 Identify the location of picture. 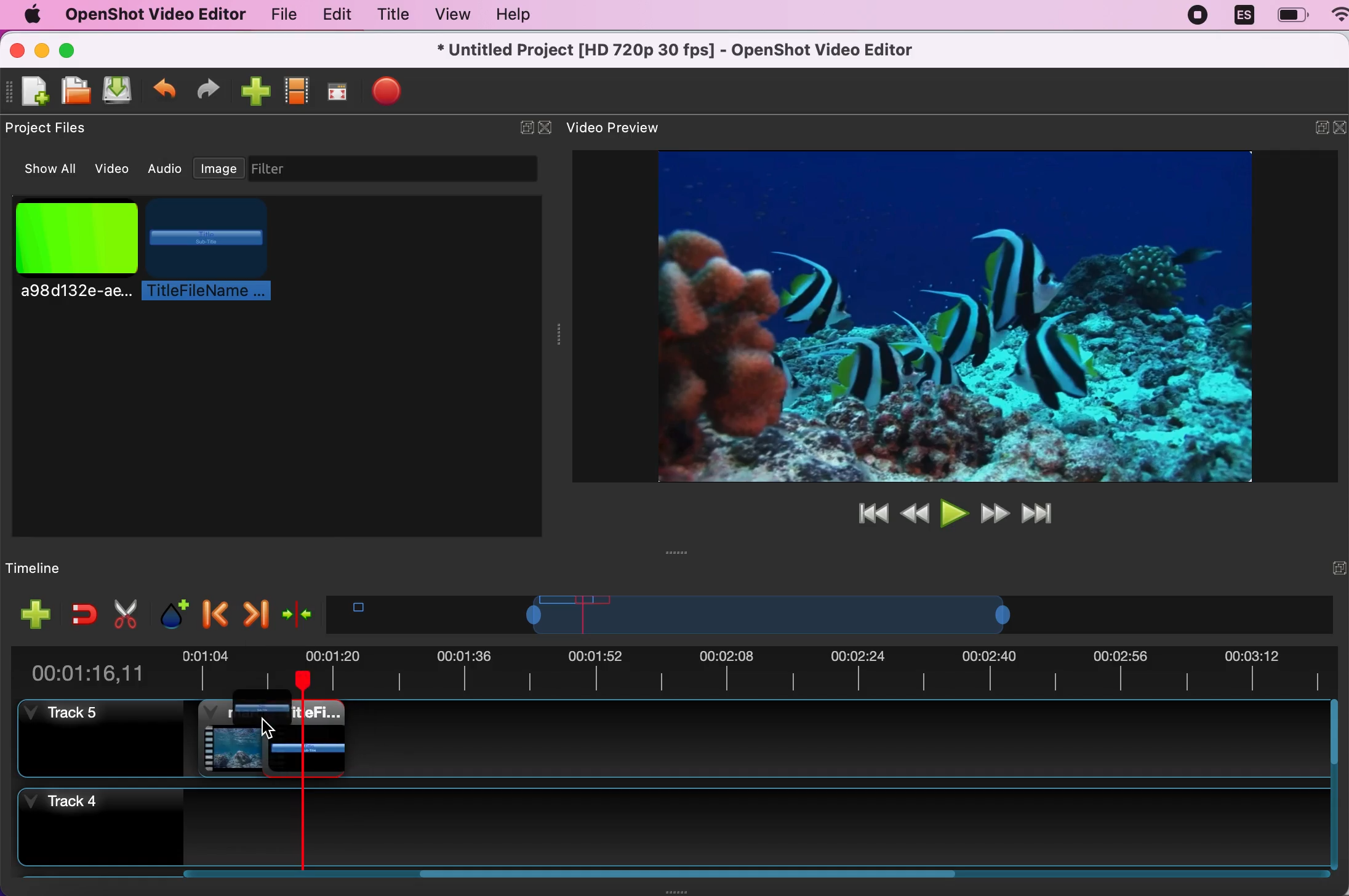
(73, 258).